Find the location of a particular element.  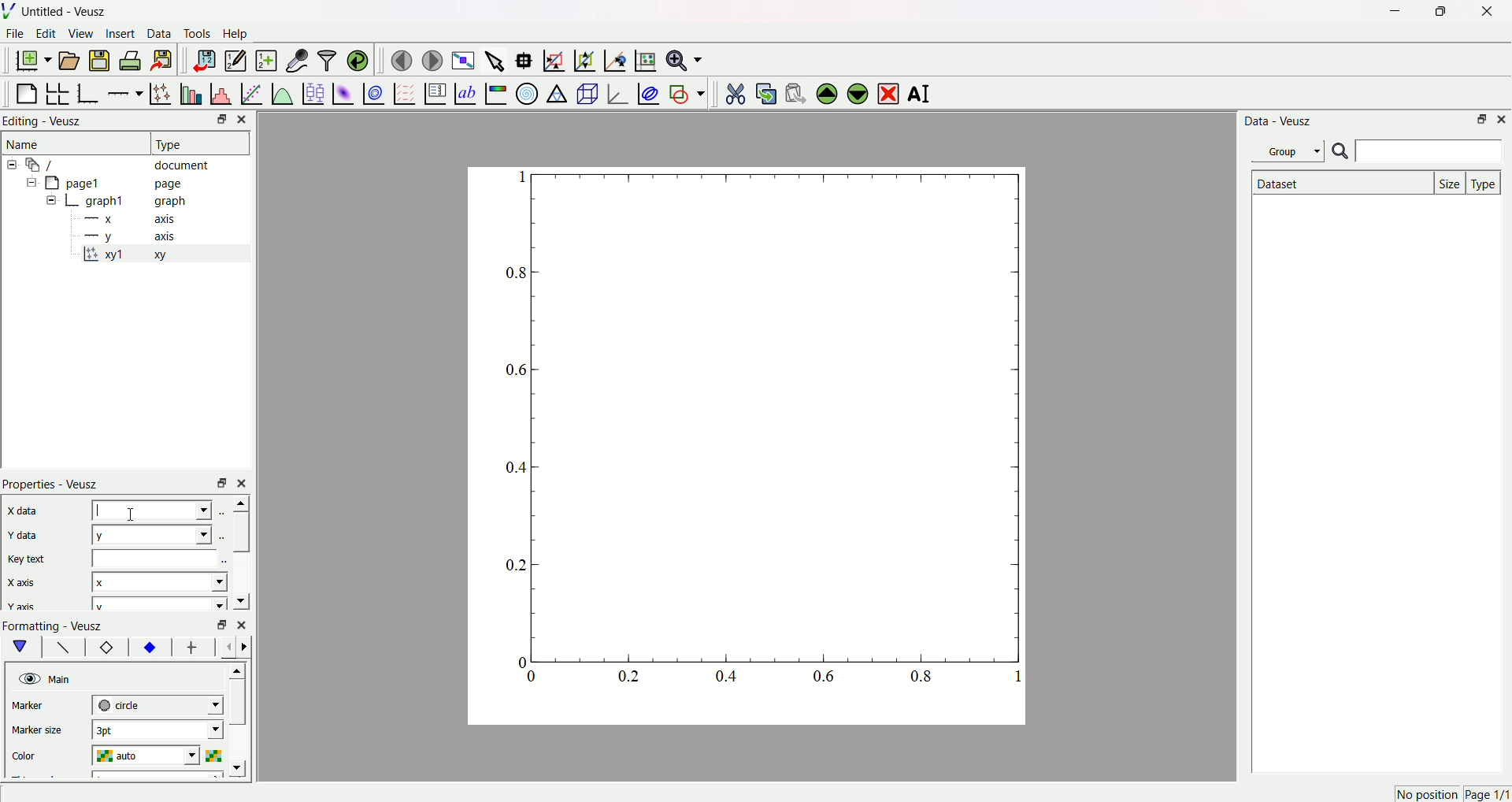

background is located at coordinates (64, 649).